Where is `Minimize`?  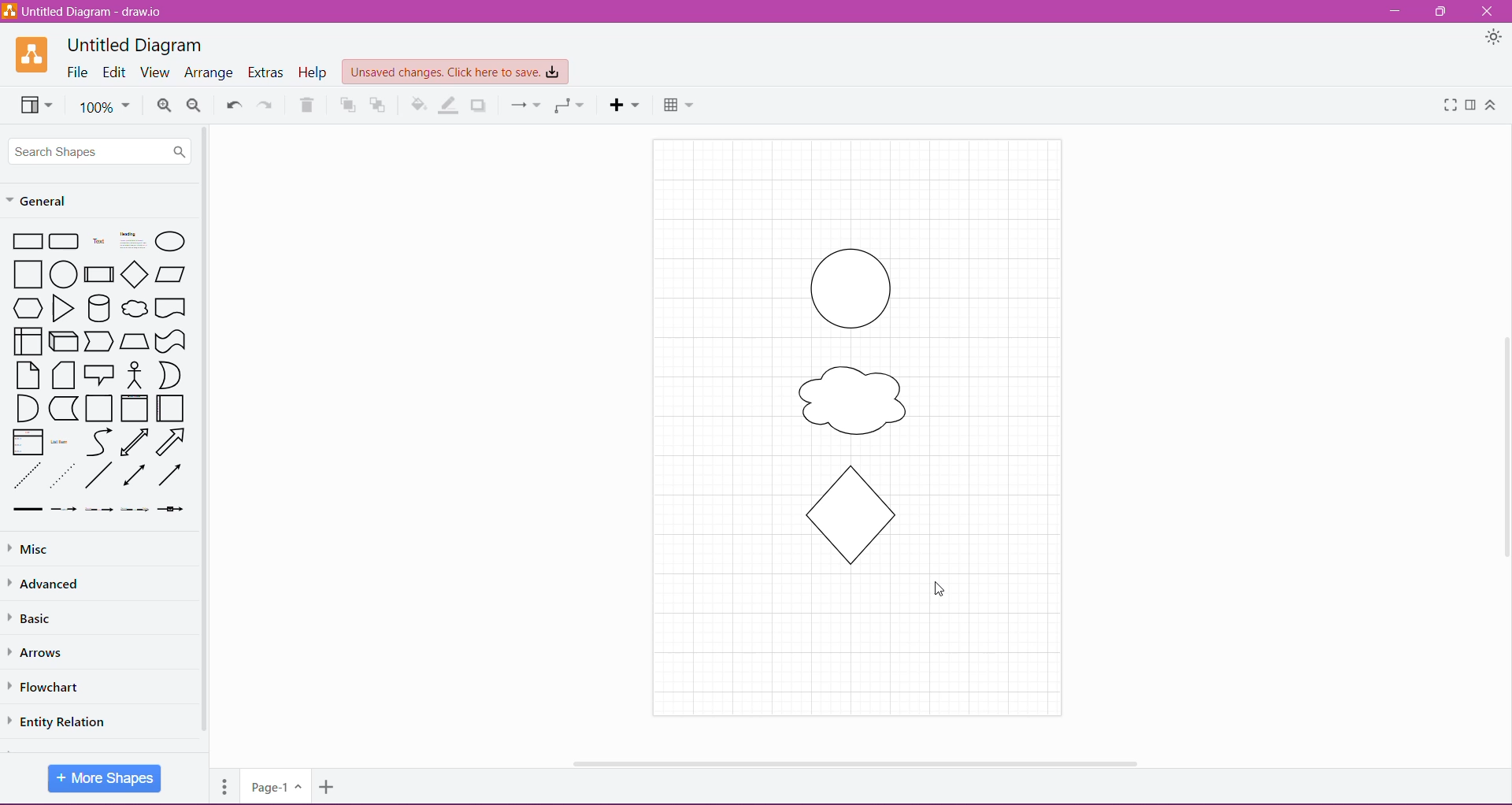 Minimize is located at coordinates (1395, 12).